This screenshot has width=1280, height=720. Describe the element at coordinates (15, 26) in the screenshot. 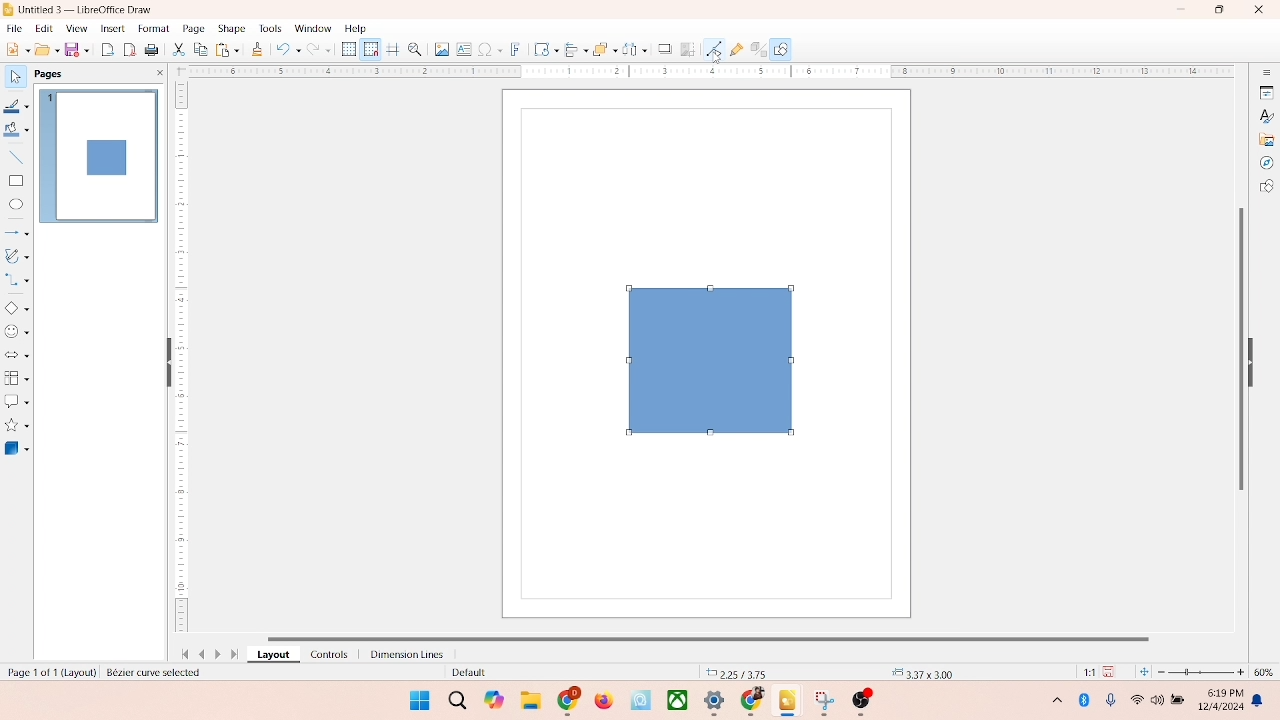

I see `file` at that location.